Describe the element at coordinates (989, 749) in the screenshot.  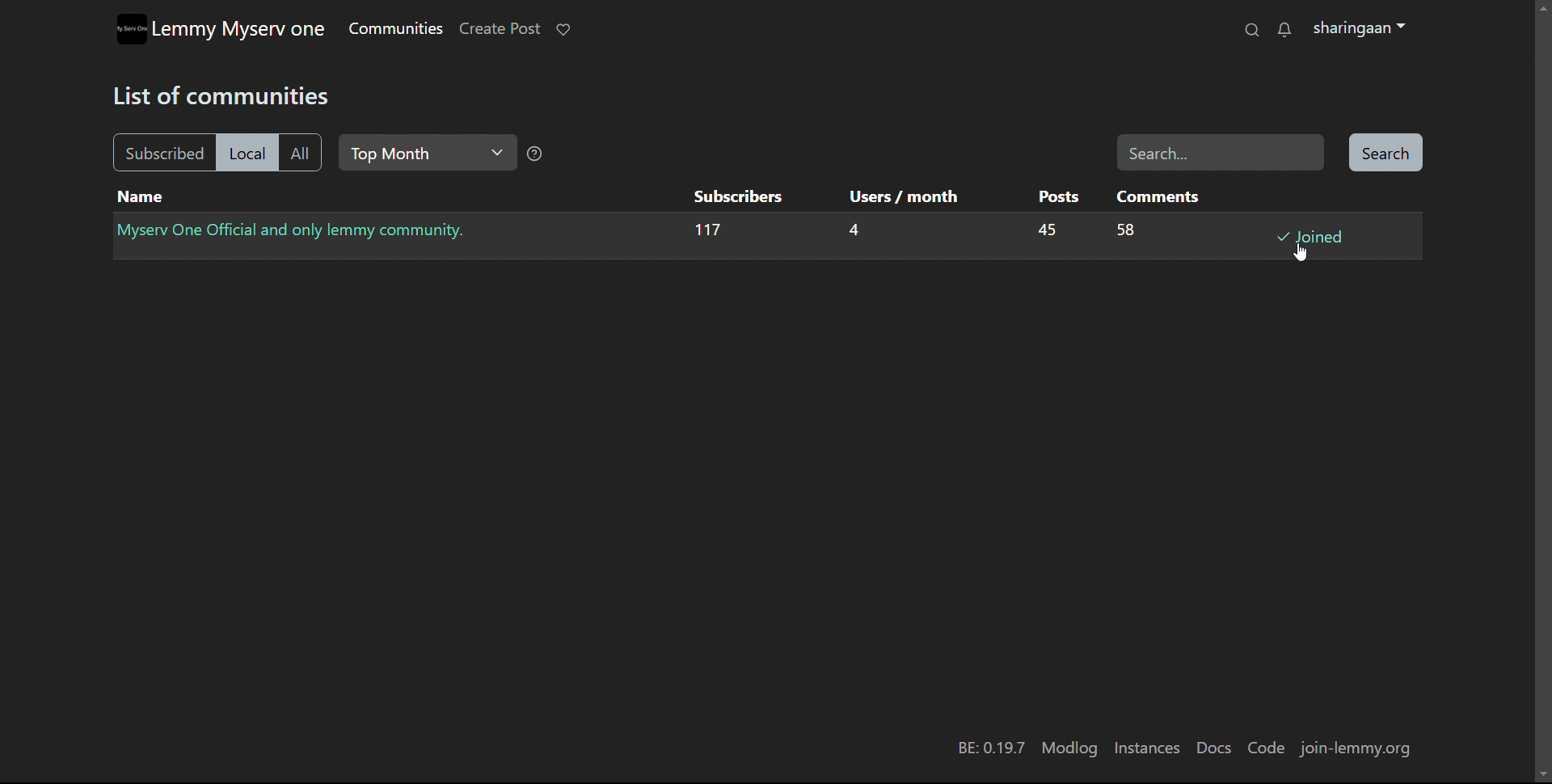
I see `version` at that location.